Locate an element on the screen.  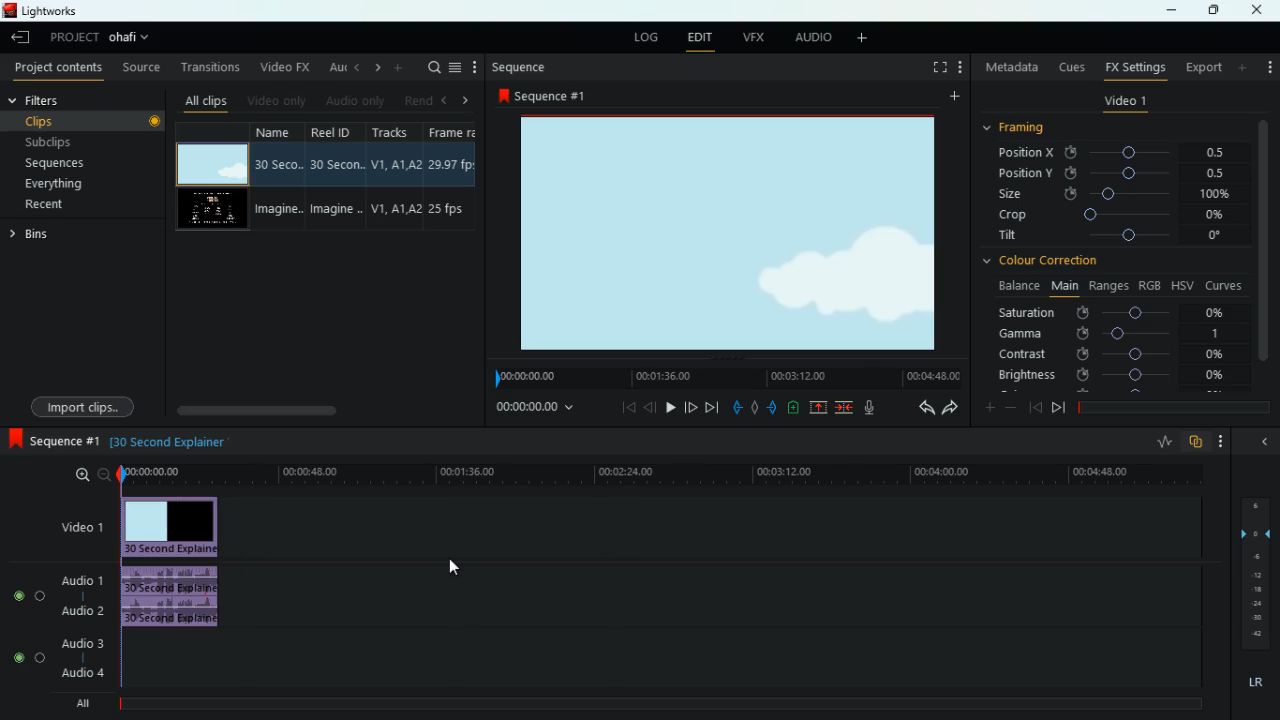
edit is located at coordinates (700, 39).